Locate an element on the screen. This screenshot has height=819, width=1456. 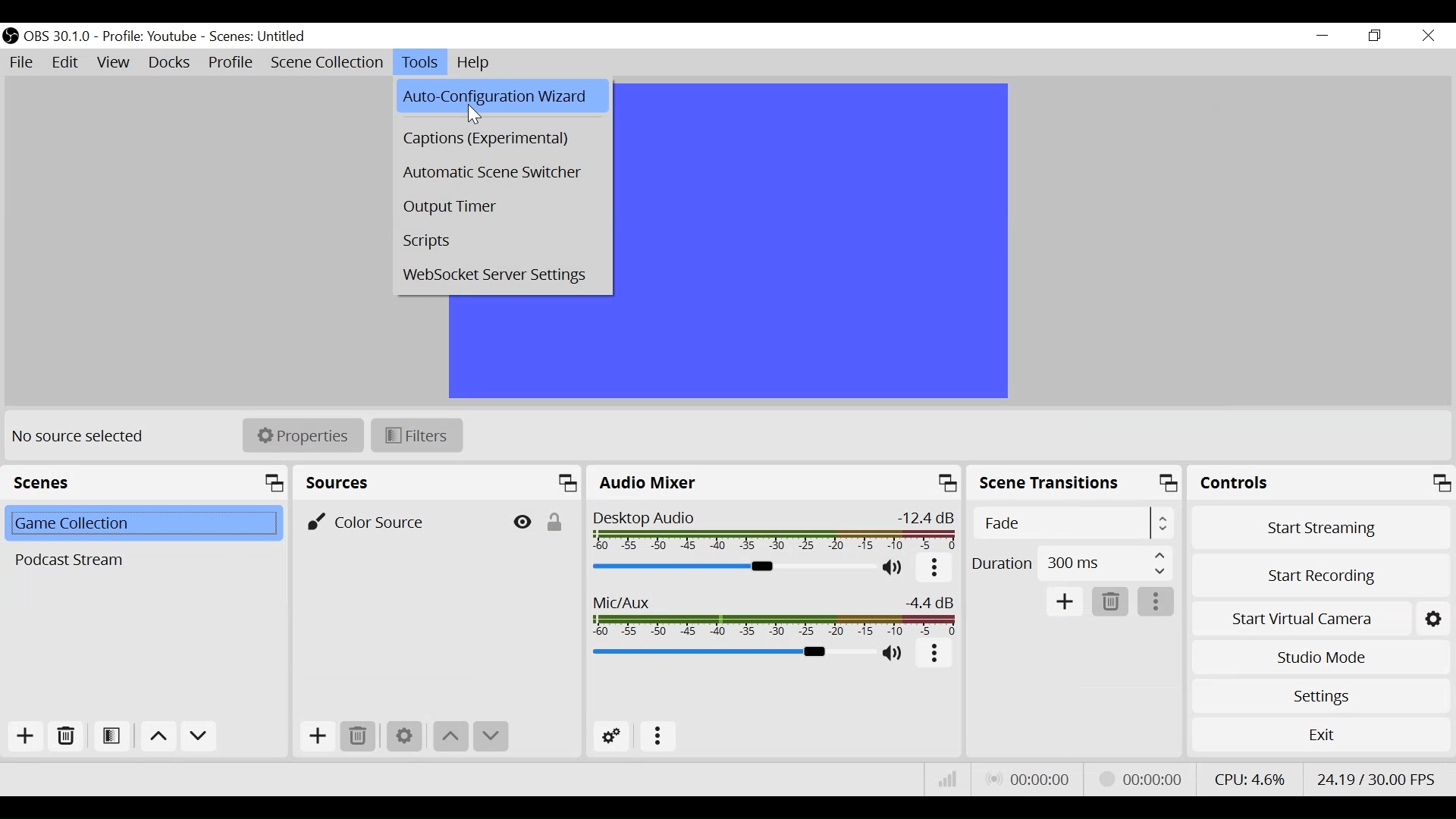
(un)mute is located at coordinates (894, 653).